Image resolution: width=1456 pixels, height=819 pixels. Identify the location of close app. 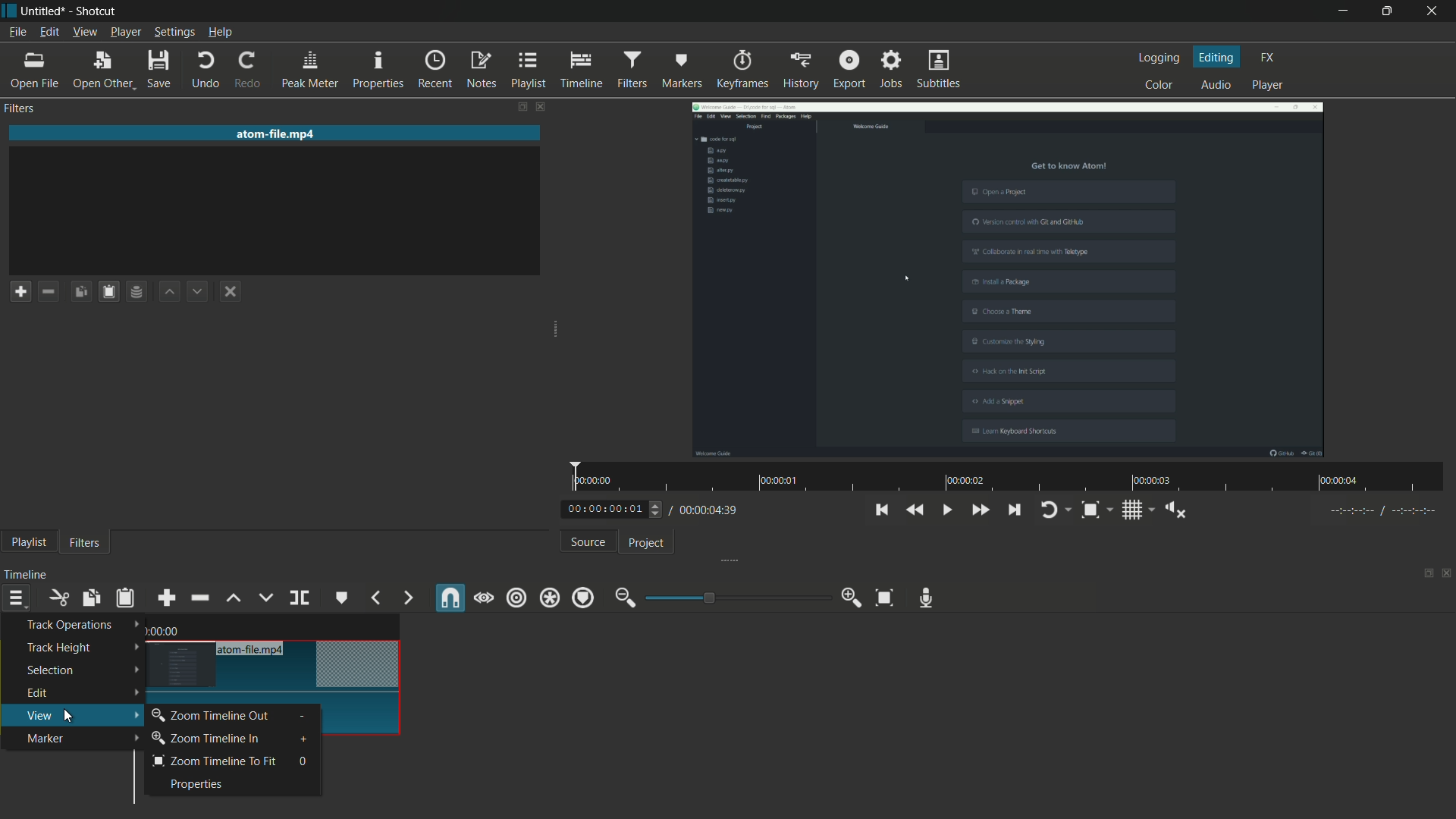
(1433, 11).